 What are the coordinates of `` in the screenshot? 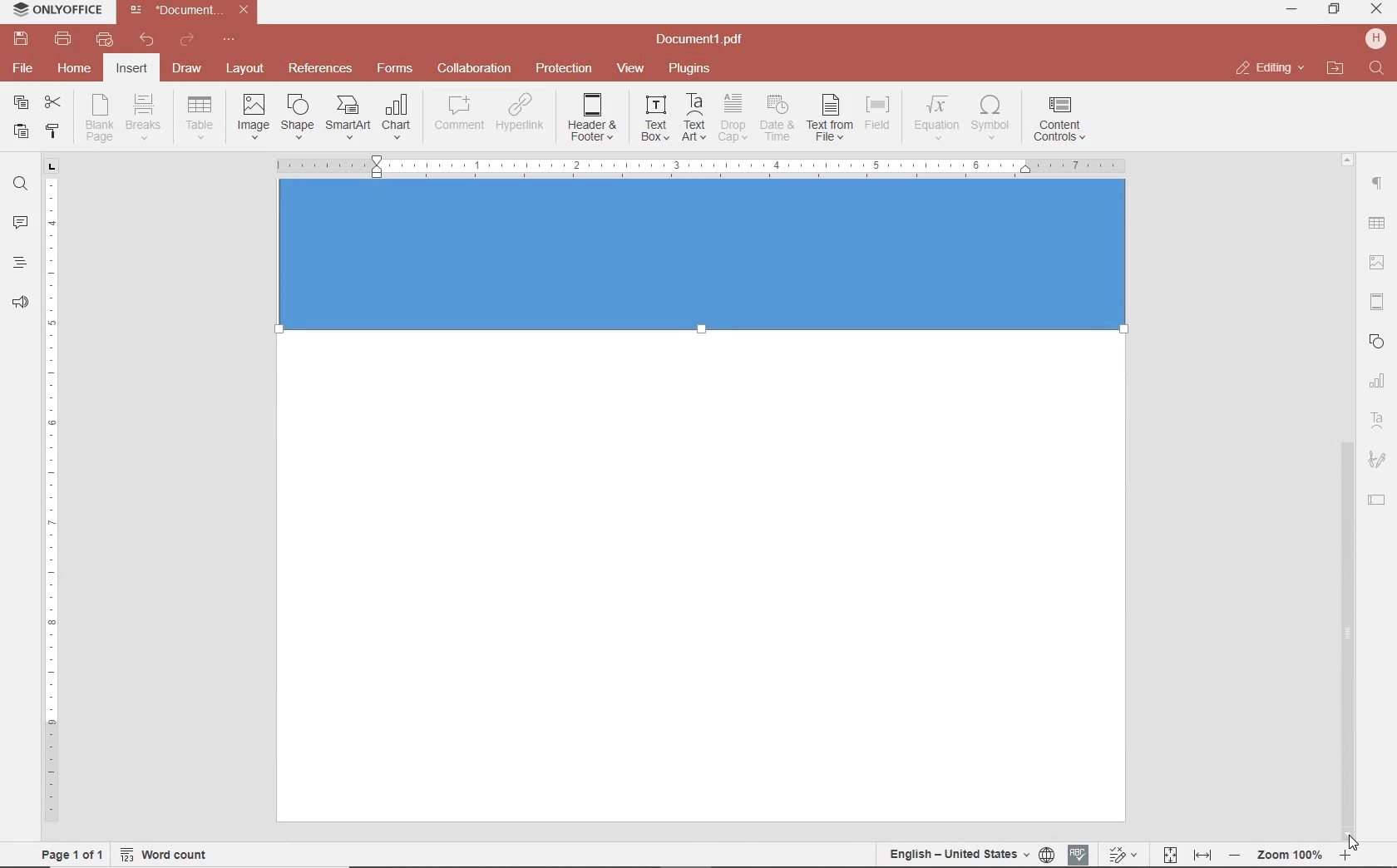 It's located at (1375, 224).